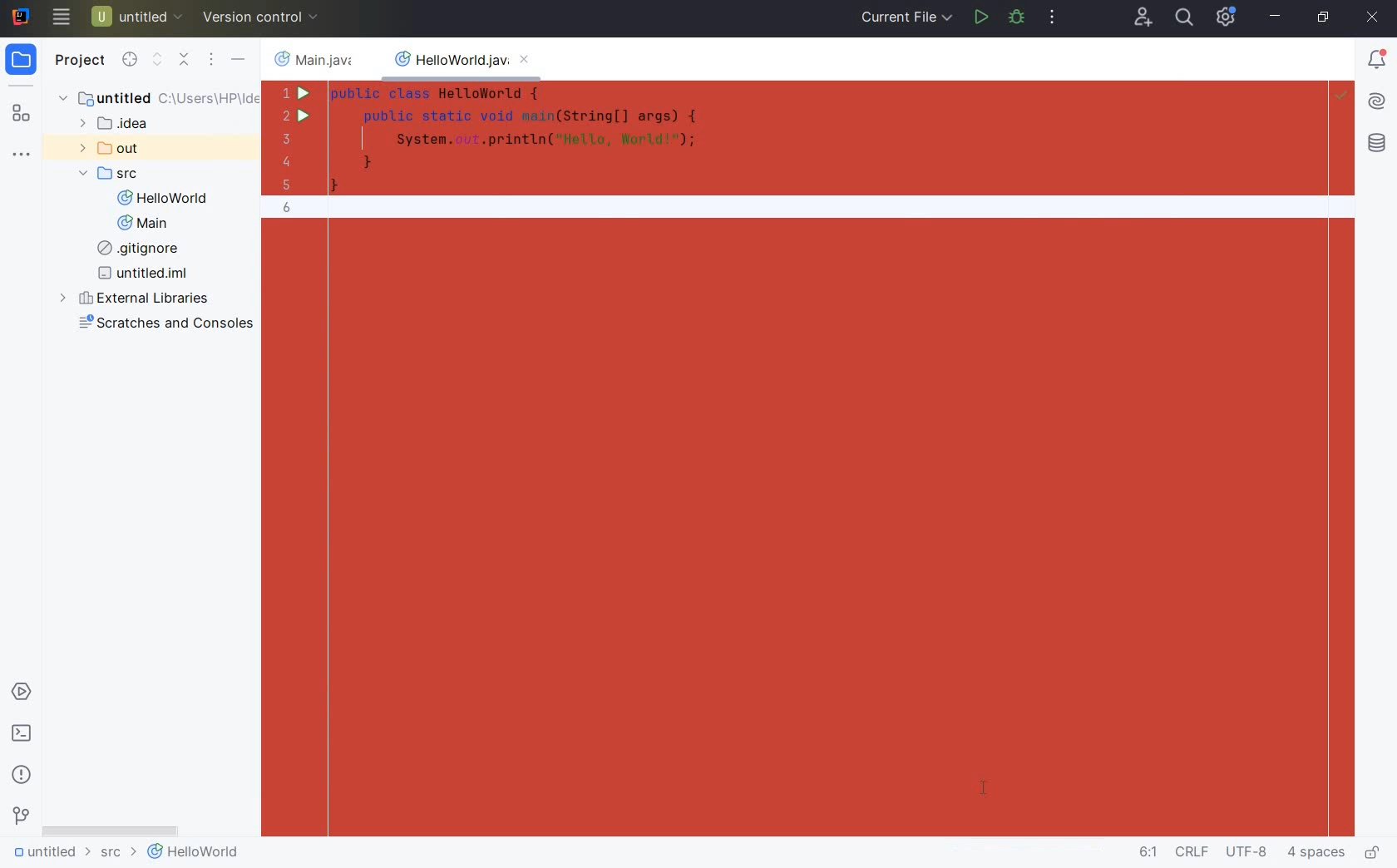 Image resolution: width=1397 pixels, height=868 pixels. I want to click on helloworld, so click(193, 855).